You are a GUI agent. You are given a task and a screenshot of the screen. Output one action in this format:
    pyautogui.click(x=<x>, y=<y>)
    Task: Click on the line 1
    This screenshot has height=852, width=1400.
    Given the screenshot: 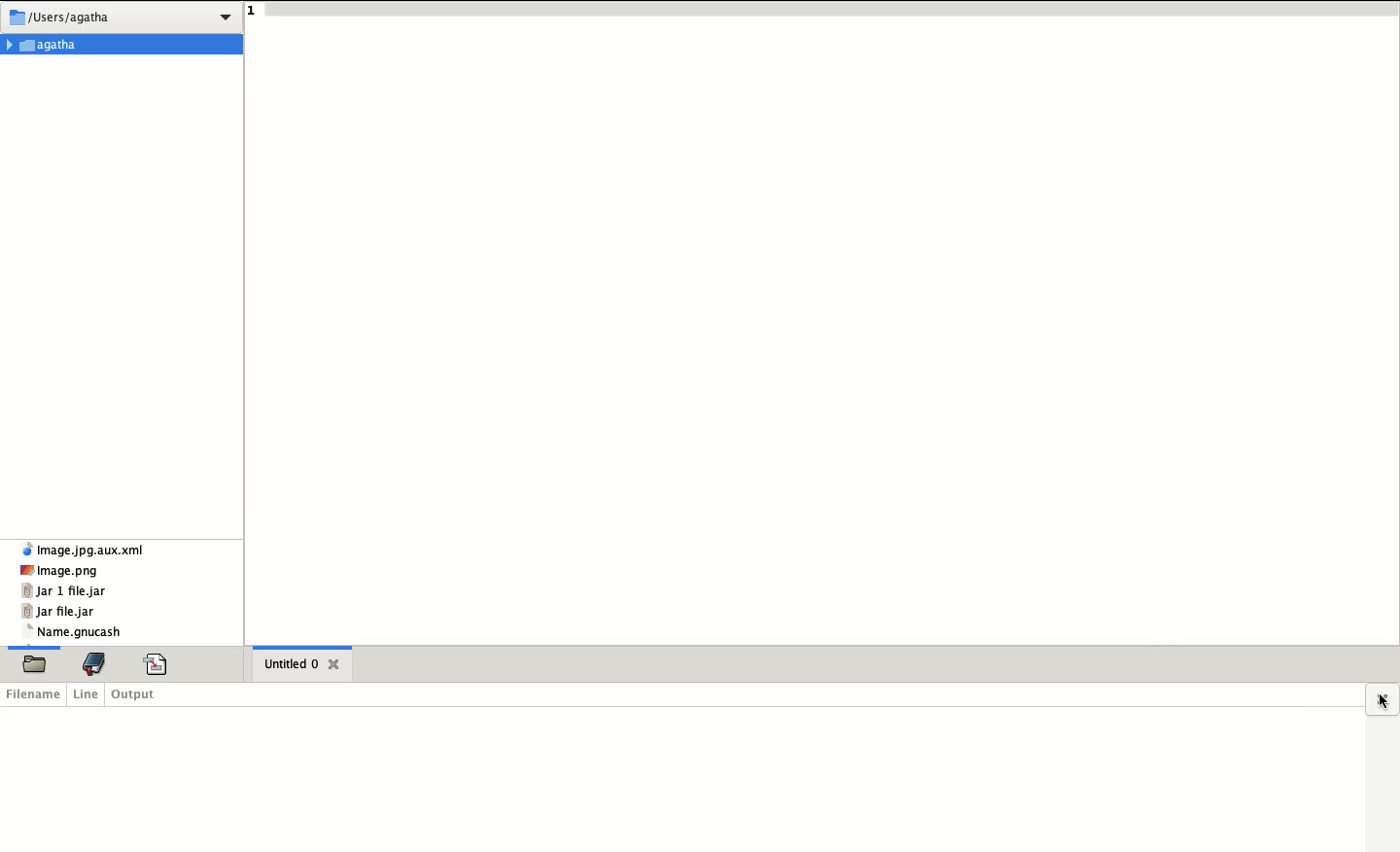 What is the action you would take?
    pyautogui.click(x=822, y=10)
    